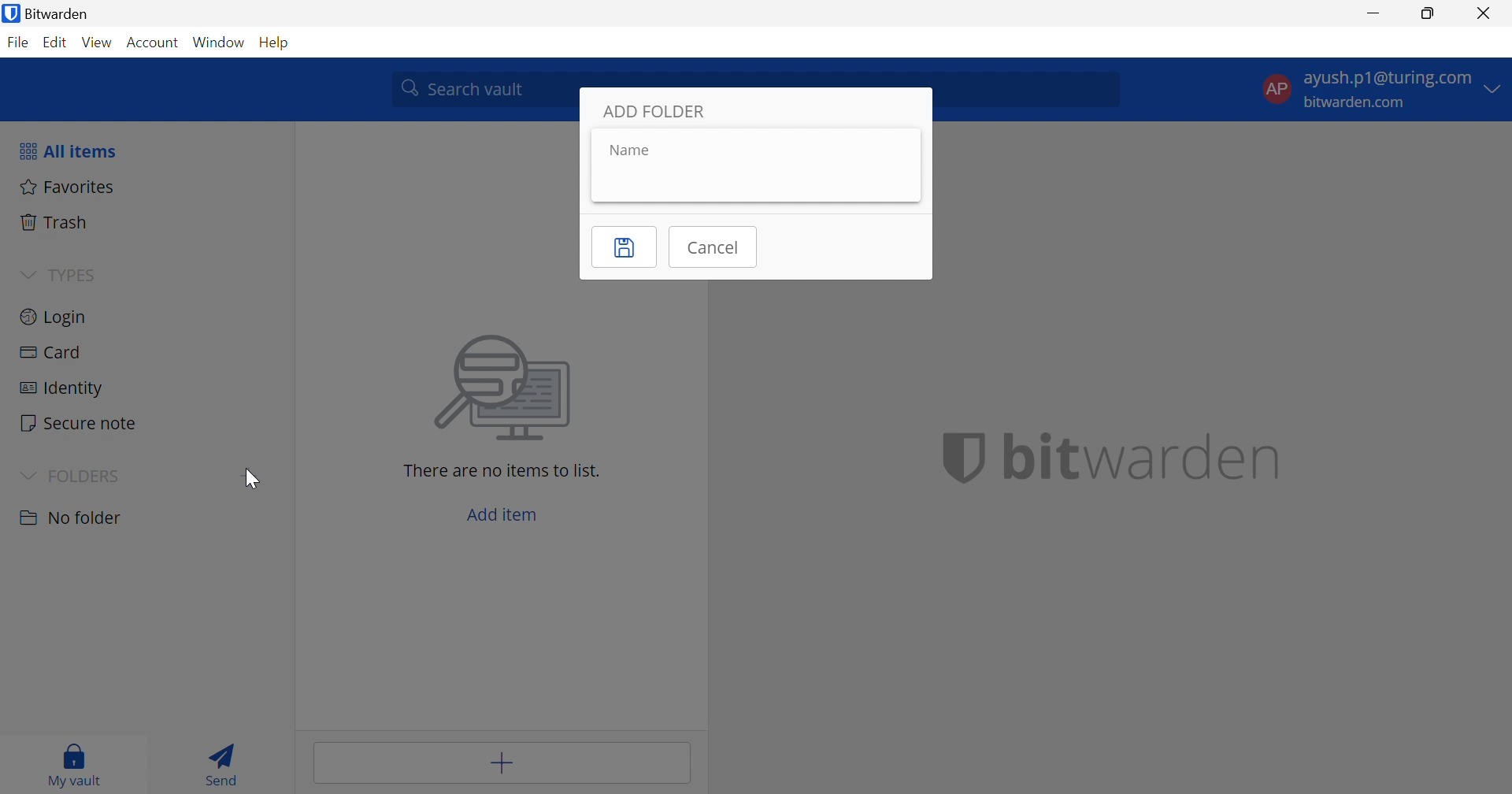 The width and height of the screenshot is (1512, 794). I want to click on There are no items to list, so click(502, 471).